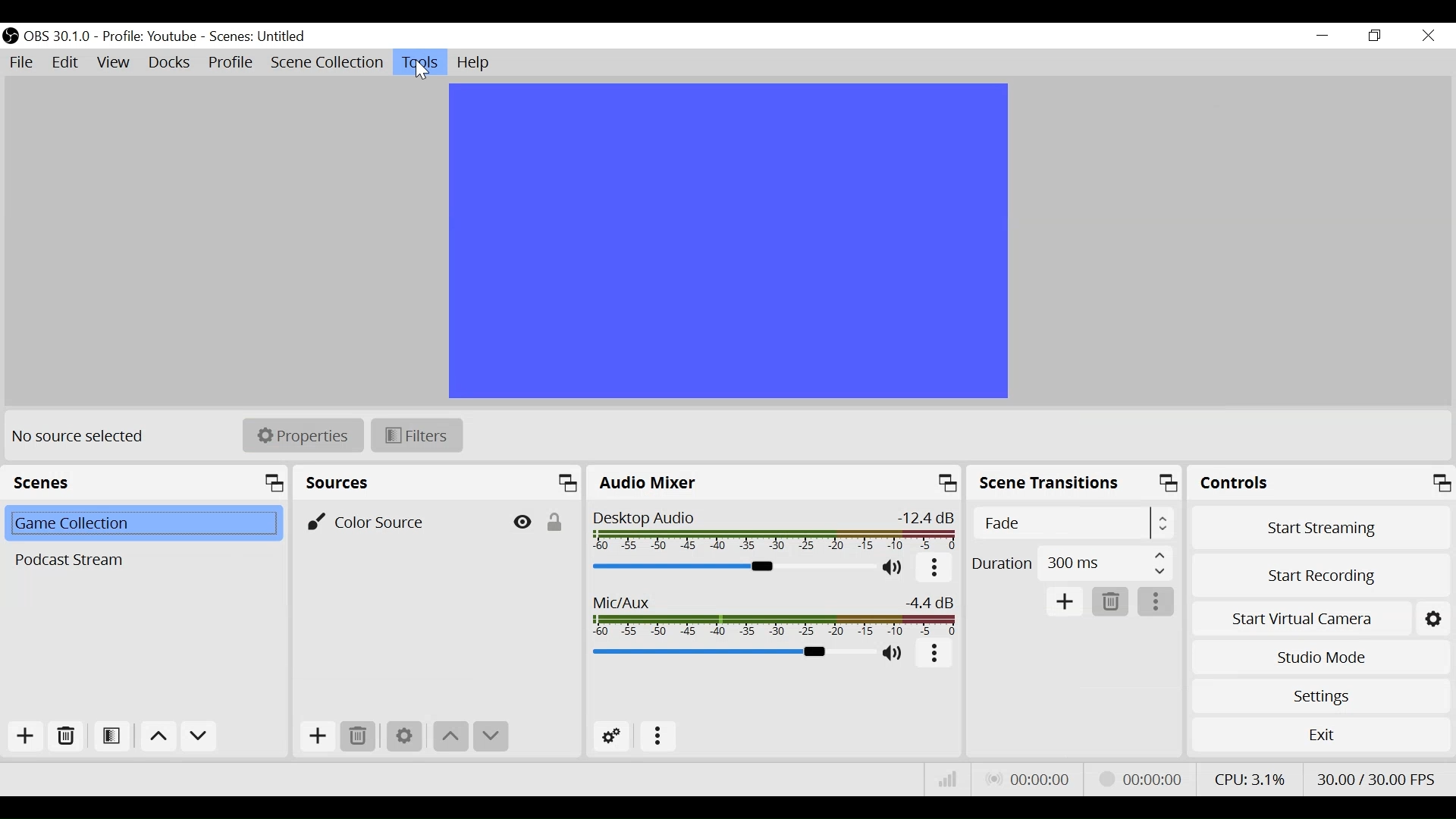  What do you see at coordinates (326, 63) in the screenshot?
I see `Scene Collection` at bounding box center [326, 63].